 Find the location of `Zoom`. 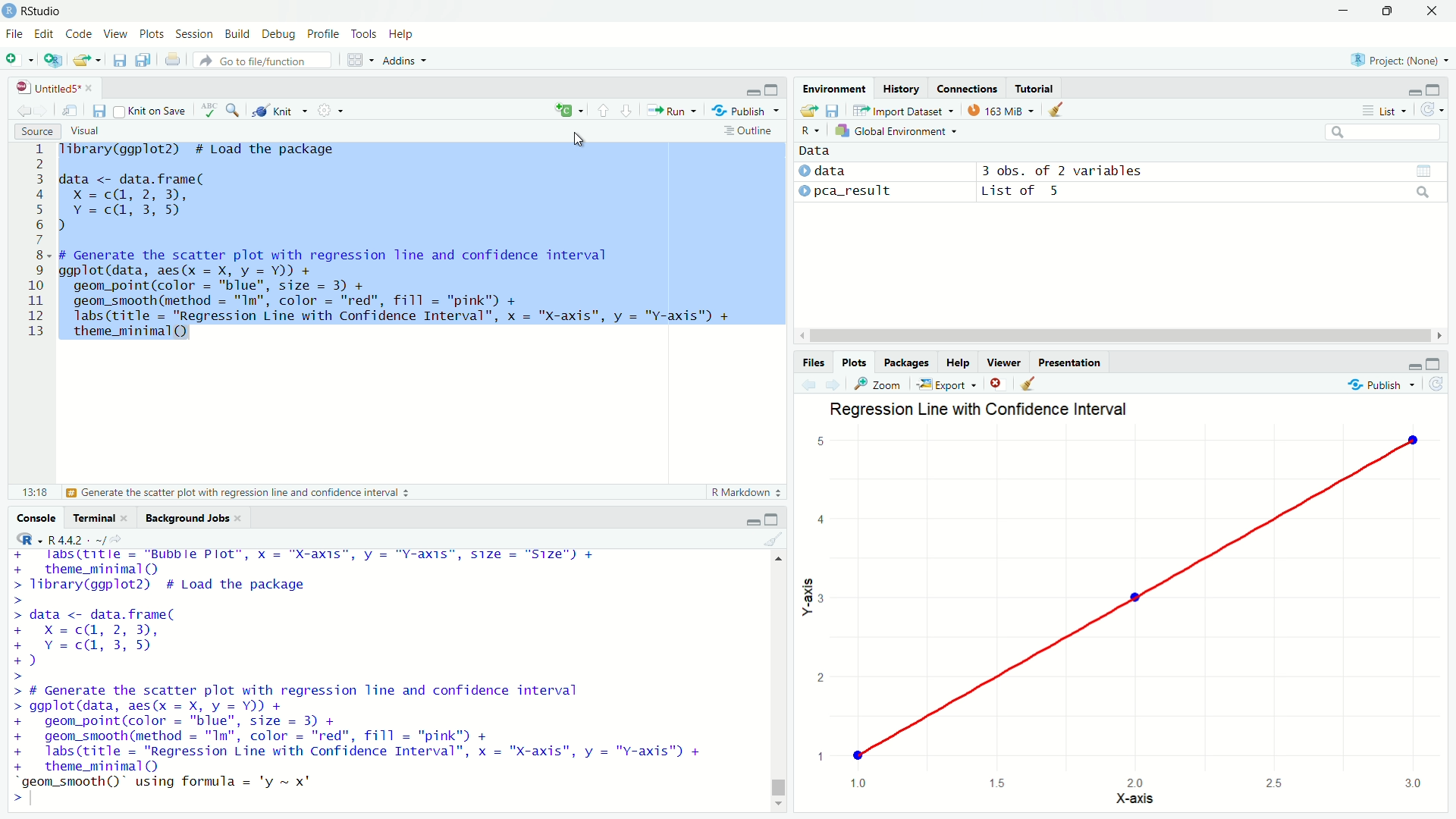

Zoom is located at coordinates (880, 384).